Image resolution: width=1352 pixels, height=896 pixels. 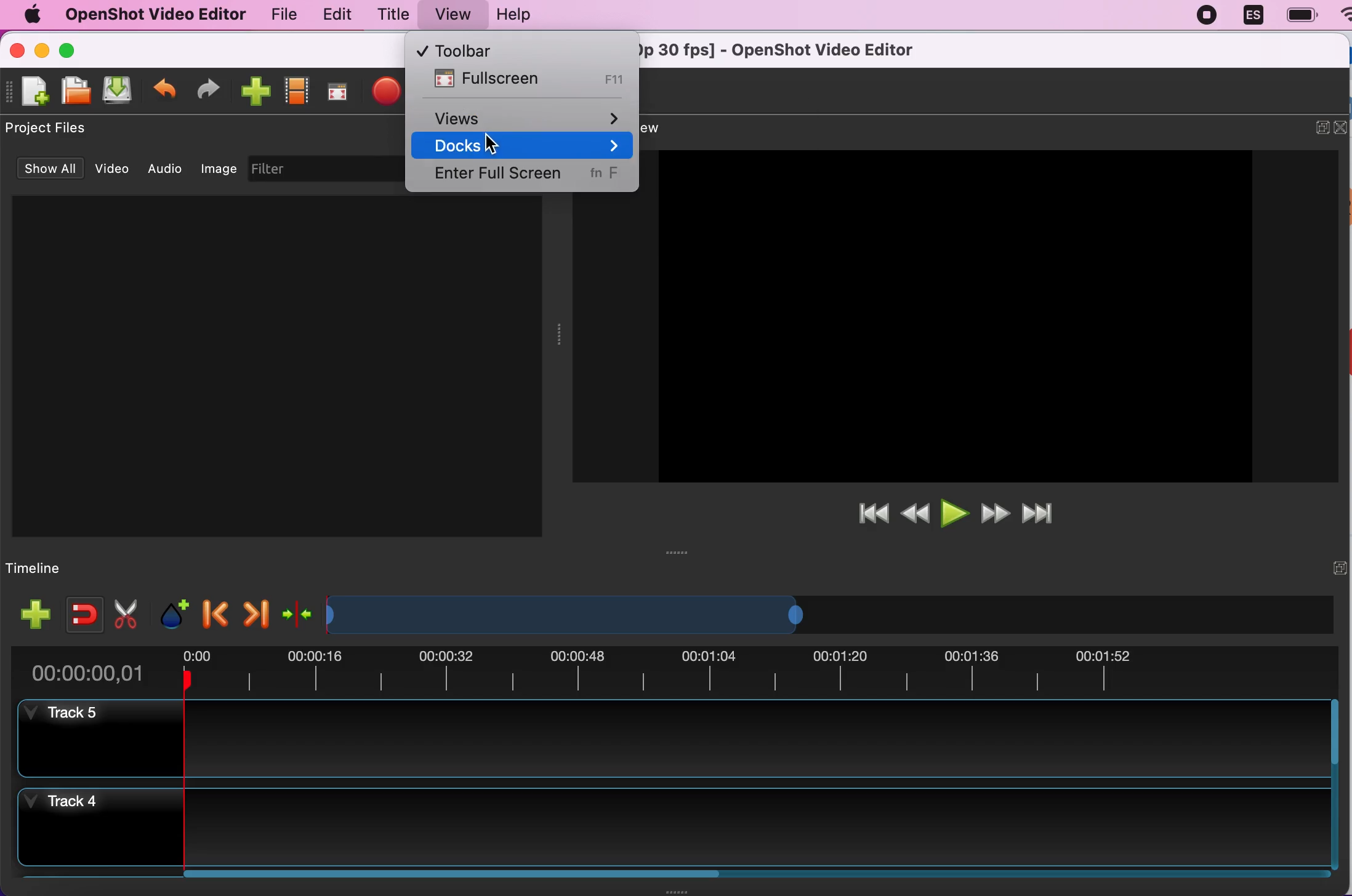 I want to click on minimize, so click(x=43, y=52).